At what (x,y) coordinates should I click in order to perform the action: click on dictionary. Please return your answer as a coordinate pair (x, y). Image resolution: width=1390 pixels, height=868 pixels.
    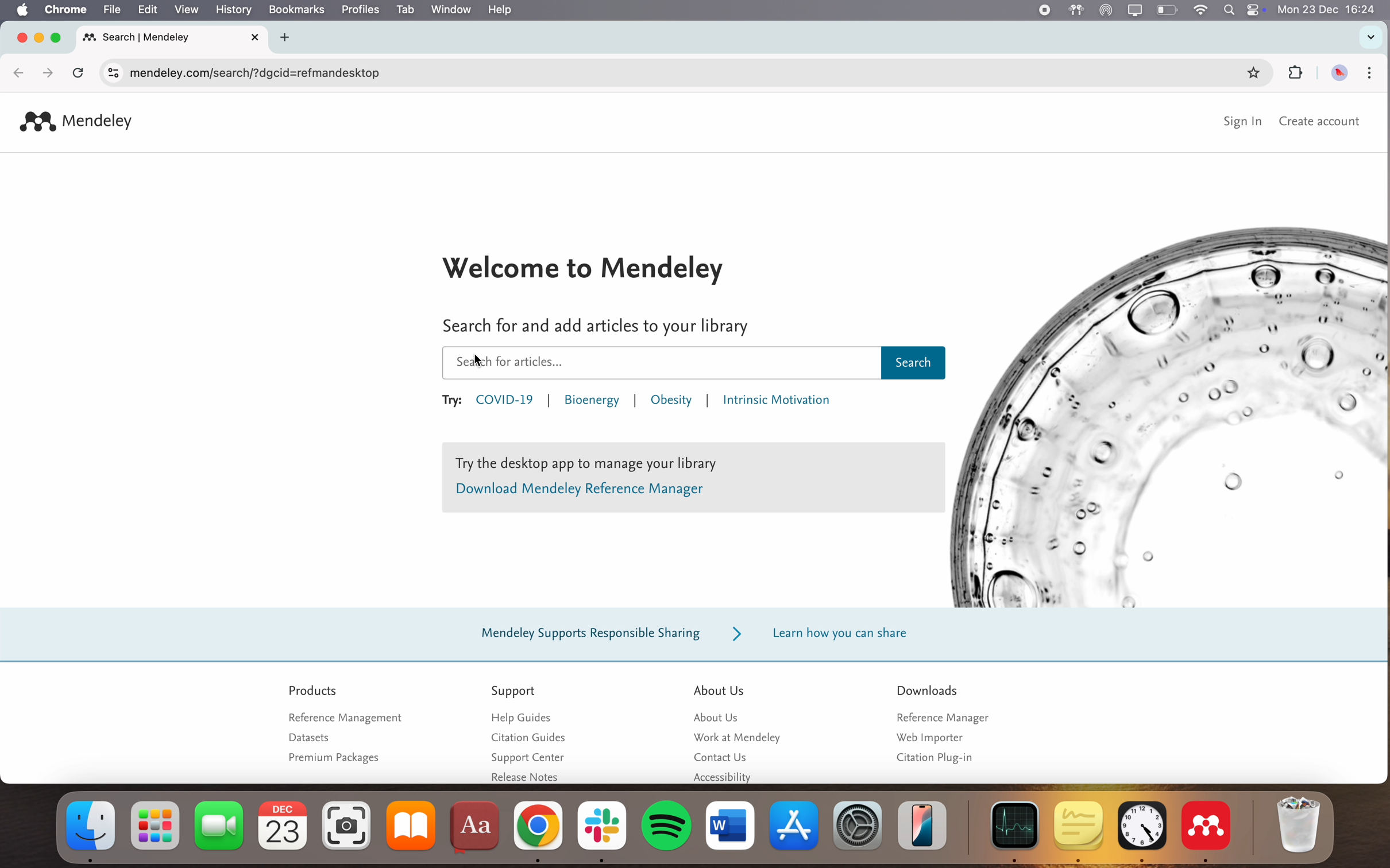
    Looking at the image, I should click on (477, 827).